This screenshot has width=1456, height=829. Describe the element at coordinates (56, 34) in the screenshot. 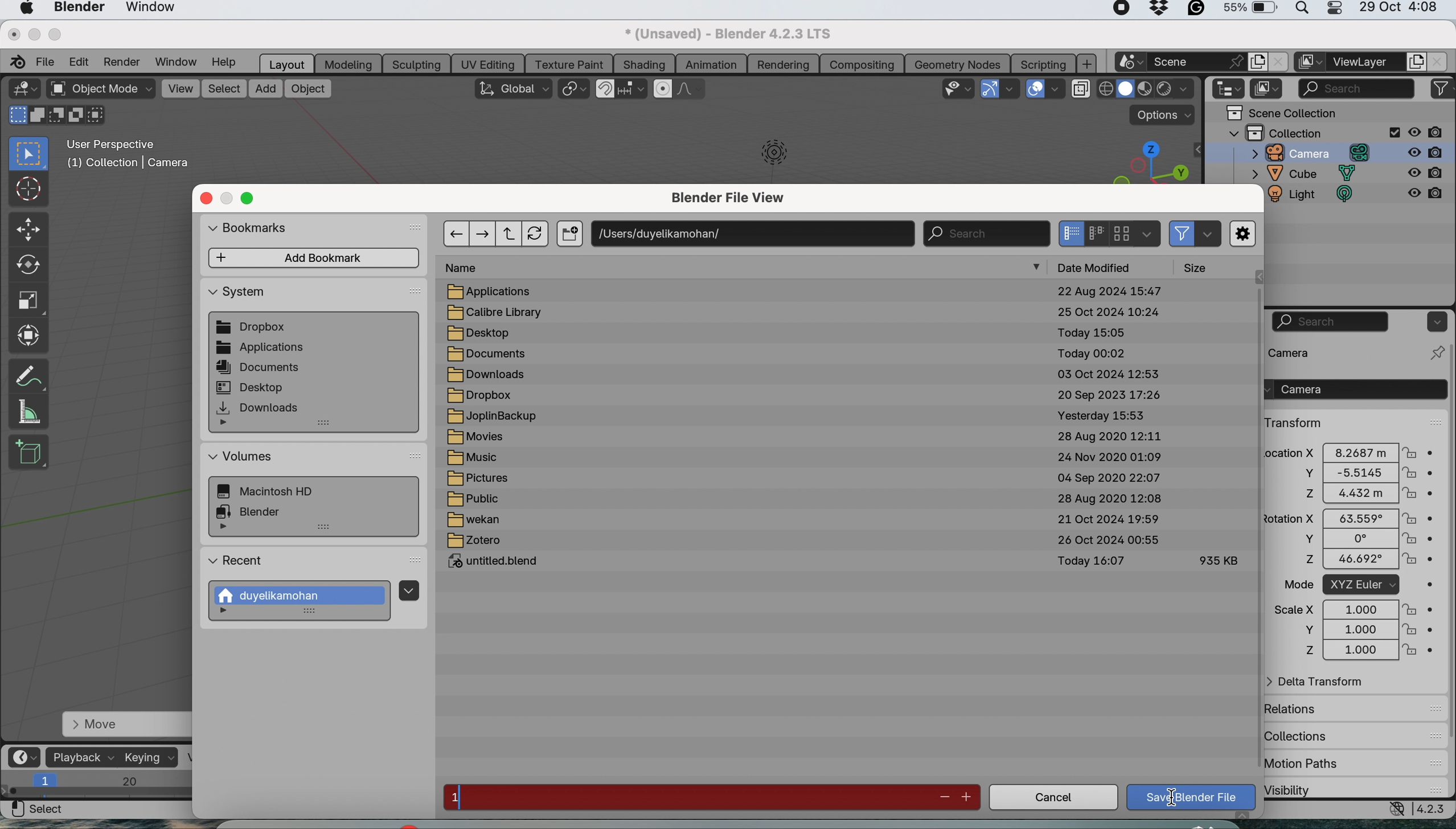

I see `maximise` at that location.